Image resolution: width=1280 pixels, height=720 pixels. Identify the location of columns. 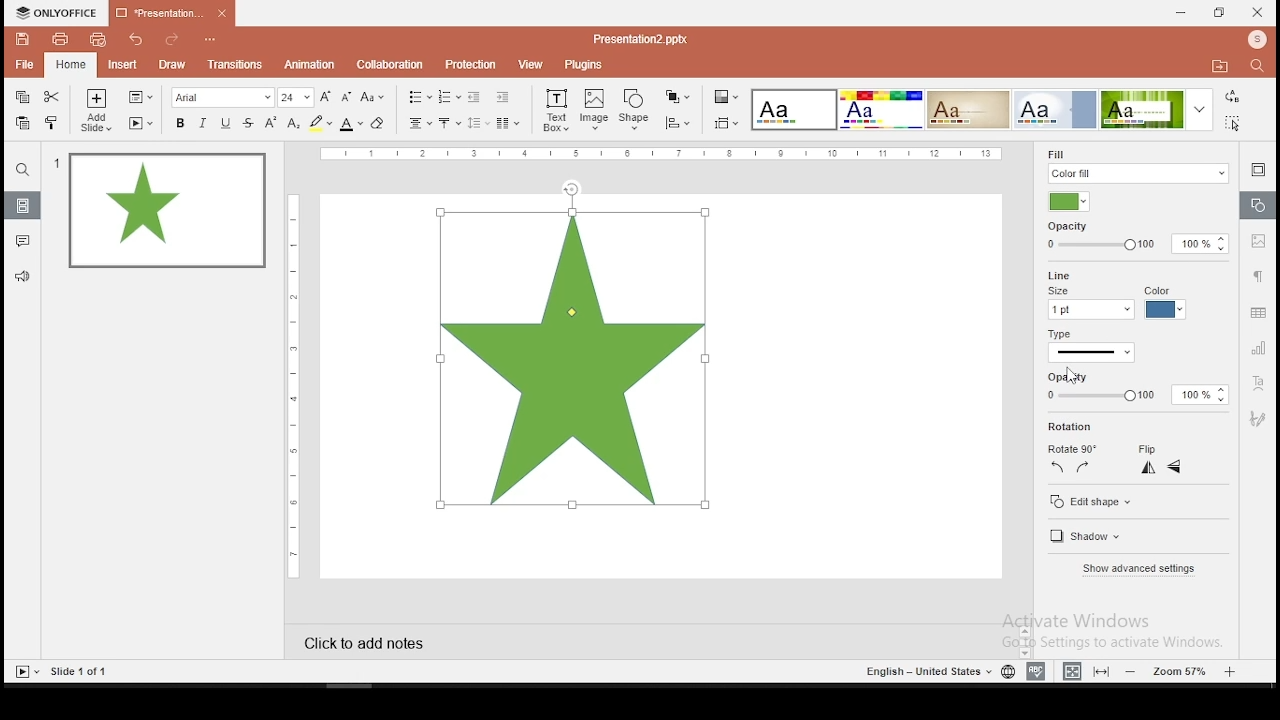
(506, 122).